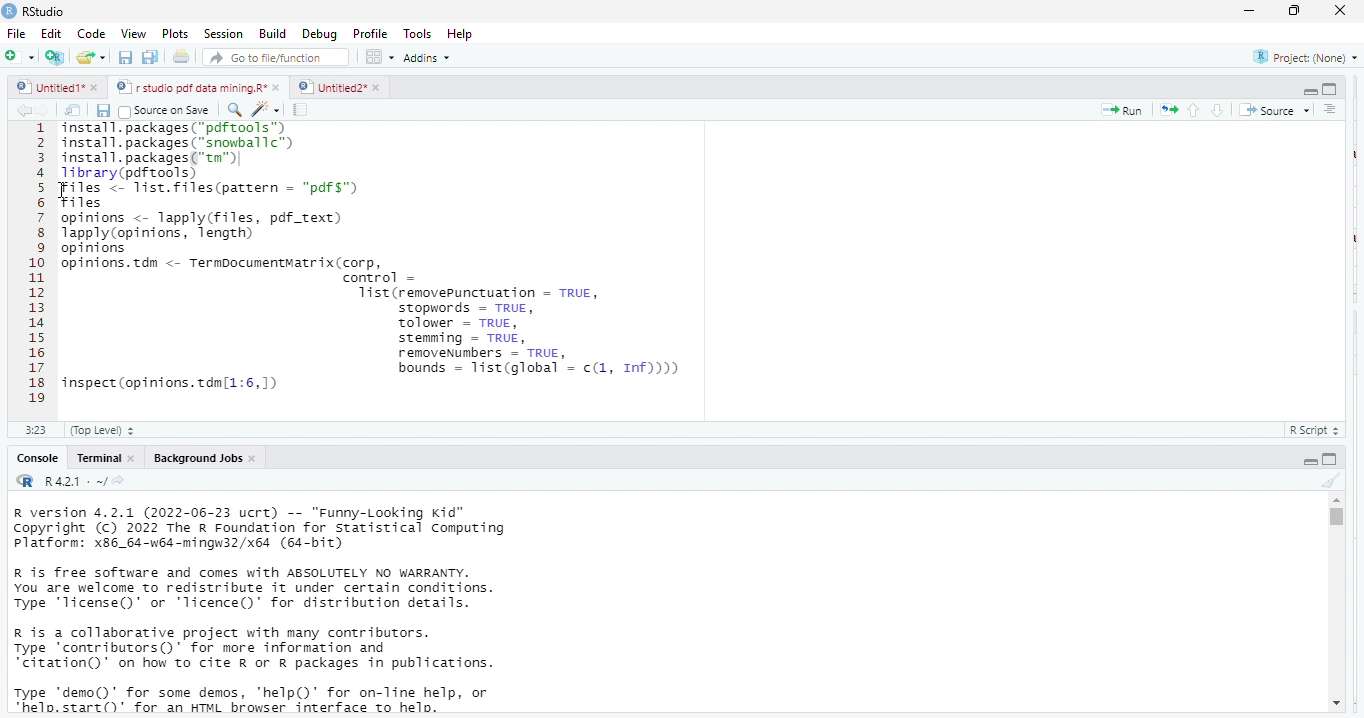 The width and height of the screenshot is (1364, 718). I want to click on addins, so click(432, 57).